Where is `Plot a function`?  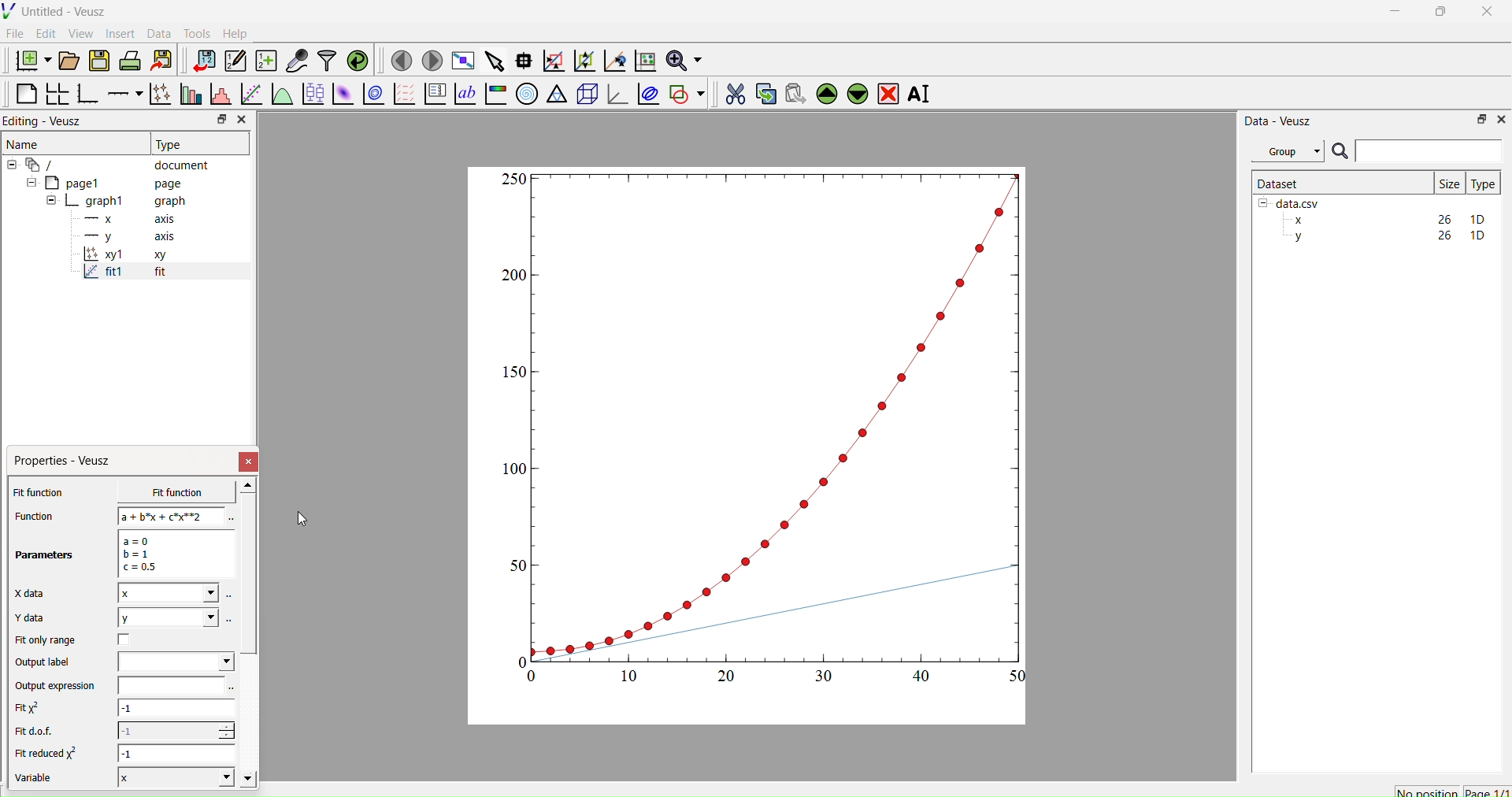
Plot a function is located at coordinates (281, 95).